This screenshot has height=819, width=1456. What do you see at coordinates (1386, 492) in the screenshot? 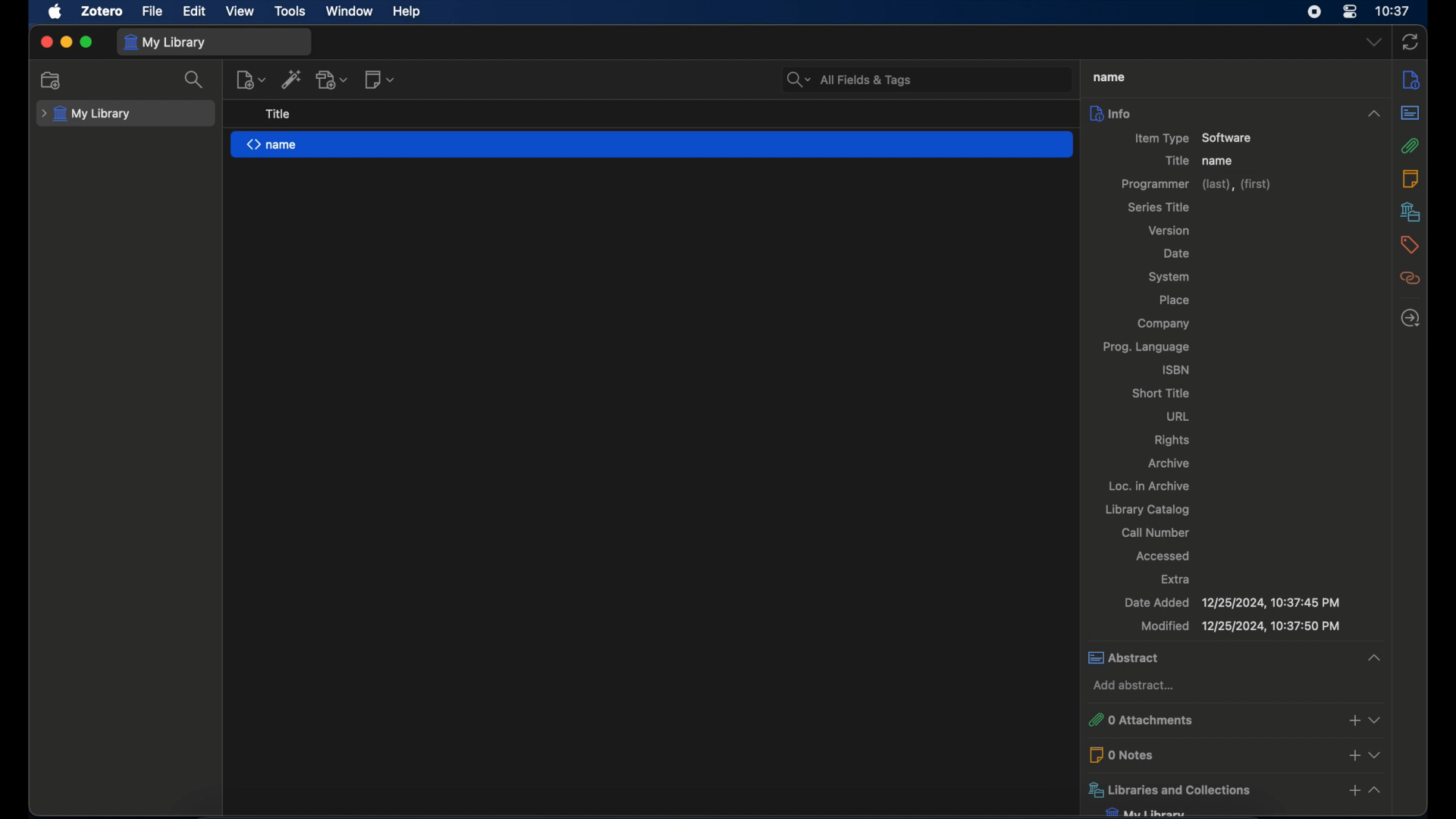
I see `vertical scrollbar` at bounding box center [1386, 492].